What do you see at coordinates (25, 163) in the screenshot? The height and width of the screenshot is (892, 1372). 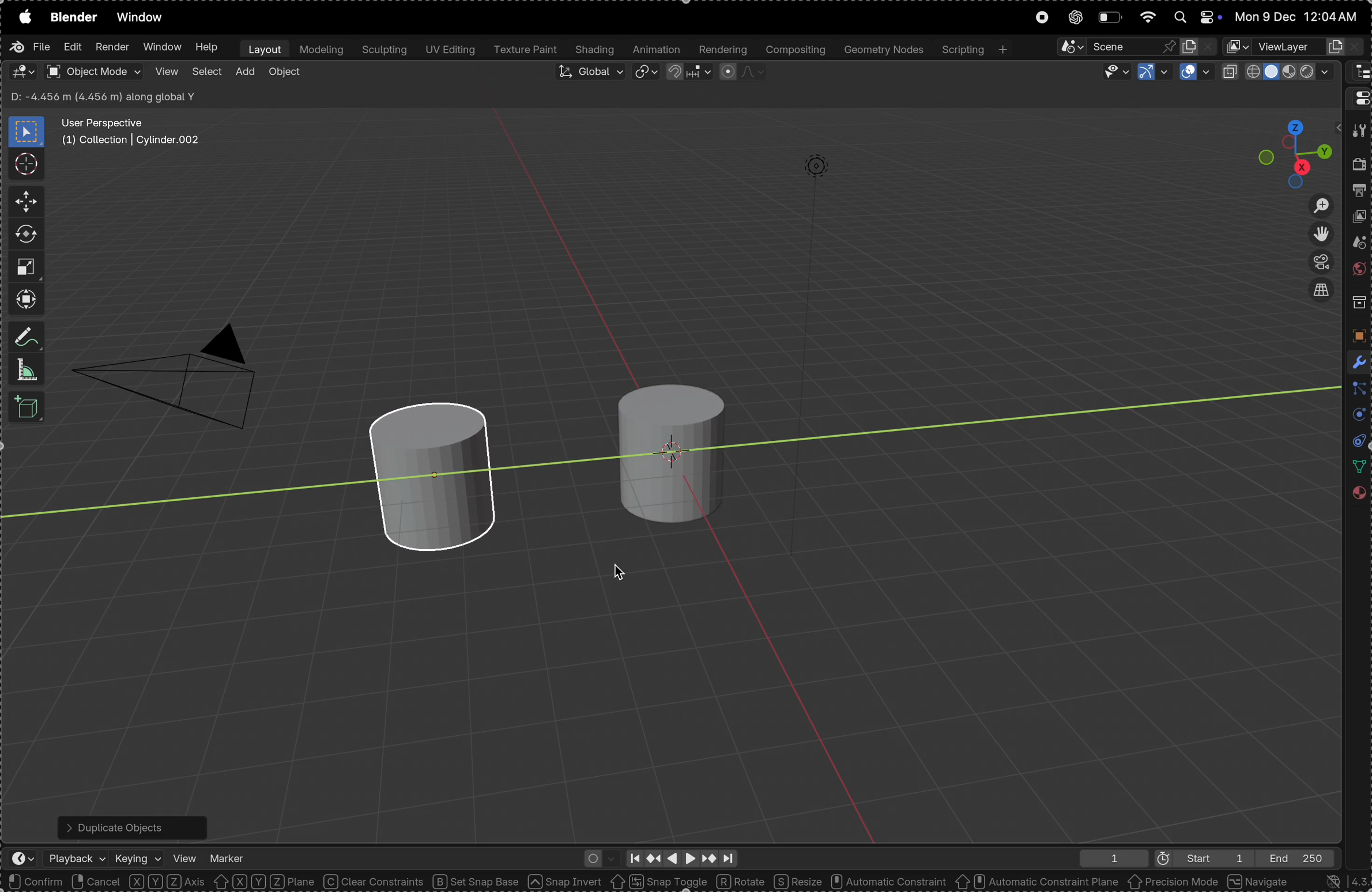 I see `cursor` at bounding box center [25, 163].